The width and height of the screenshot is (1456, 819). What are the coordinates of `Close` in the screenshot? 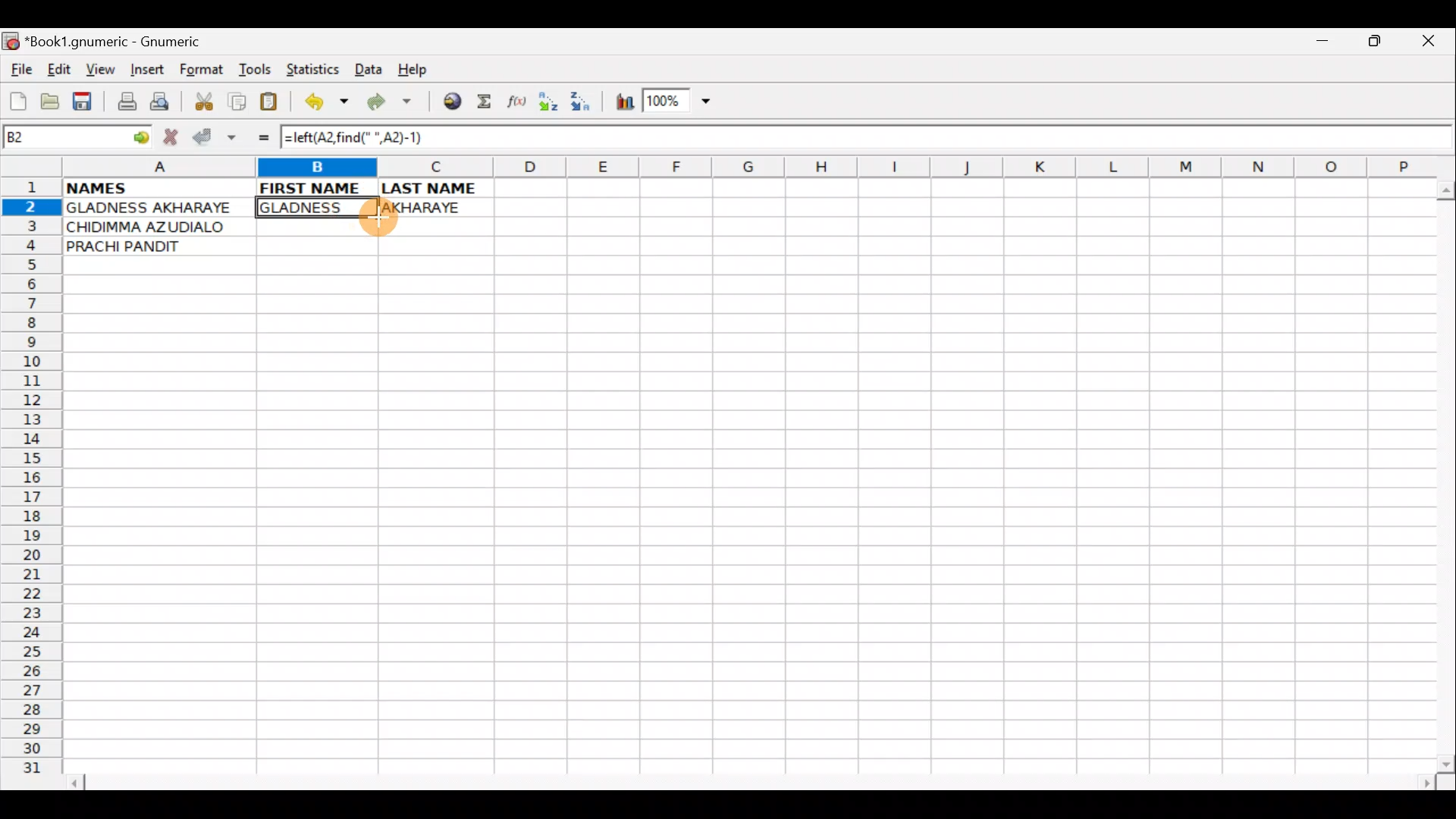 It's located at (1432, 45).